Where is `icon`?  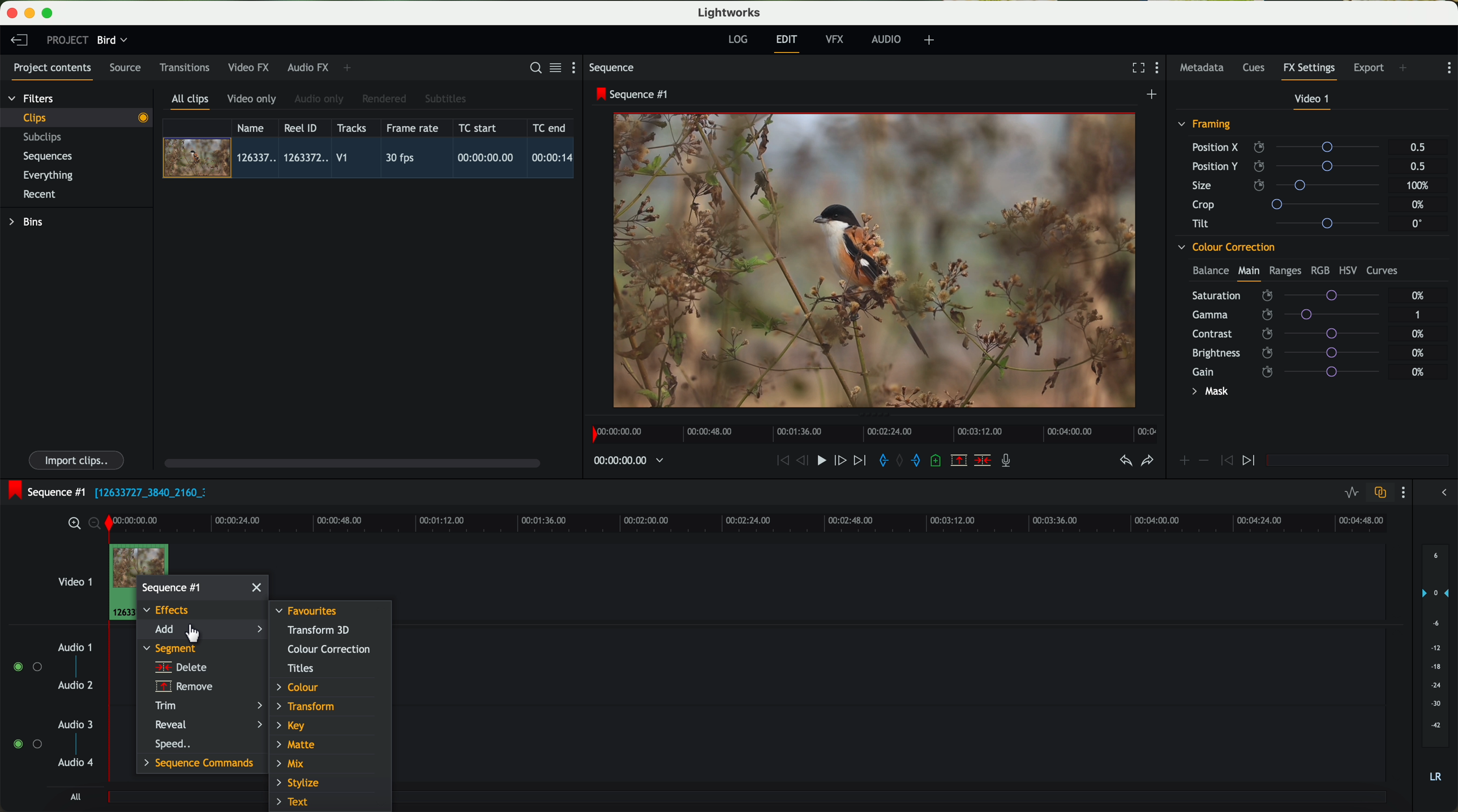
icon is located at coordinates (1183, 462).